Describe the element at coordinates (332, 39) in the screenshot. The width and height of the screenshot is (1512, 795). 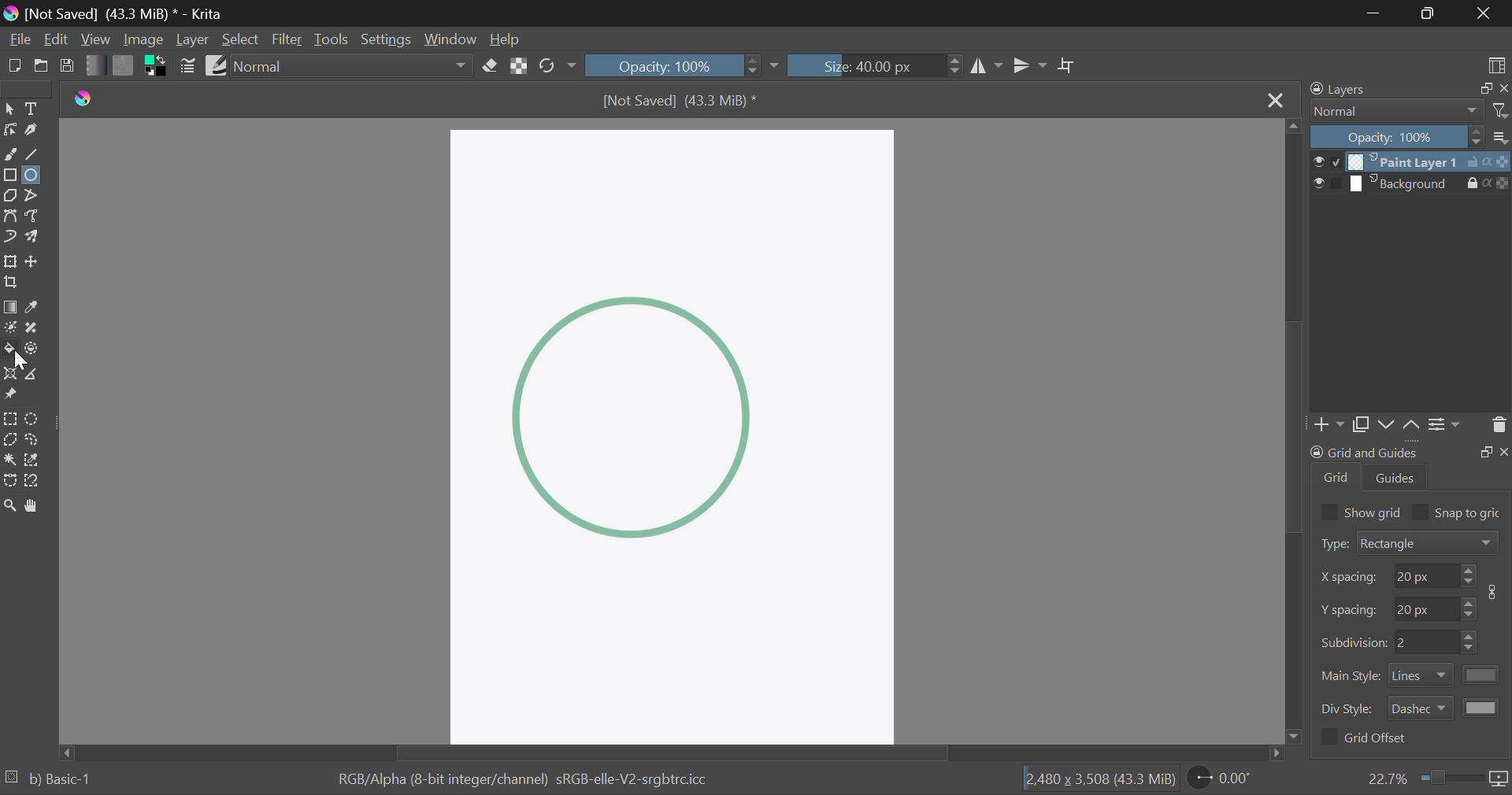
I see `Tools` at that location.